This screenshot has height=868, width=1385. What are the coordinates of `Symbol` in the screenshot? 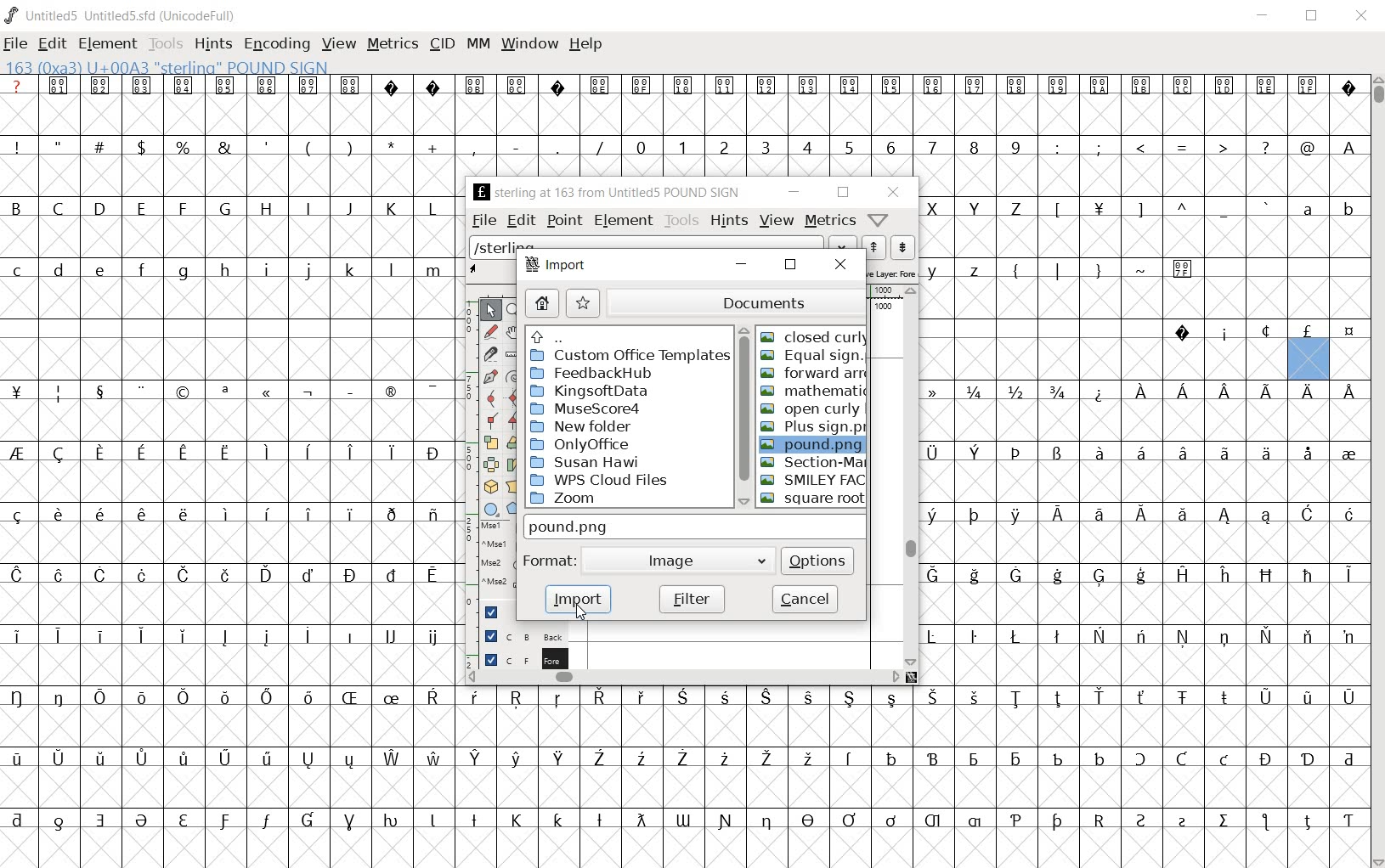 It's located at (1142, 88).